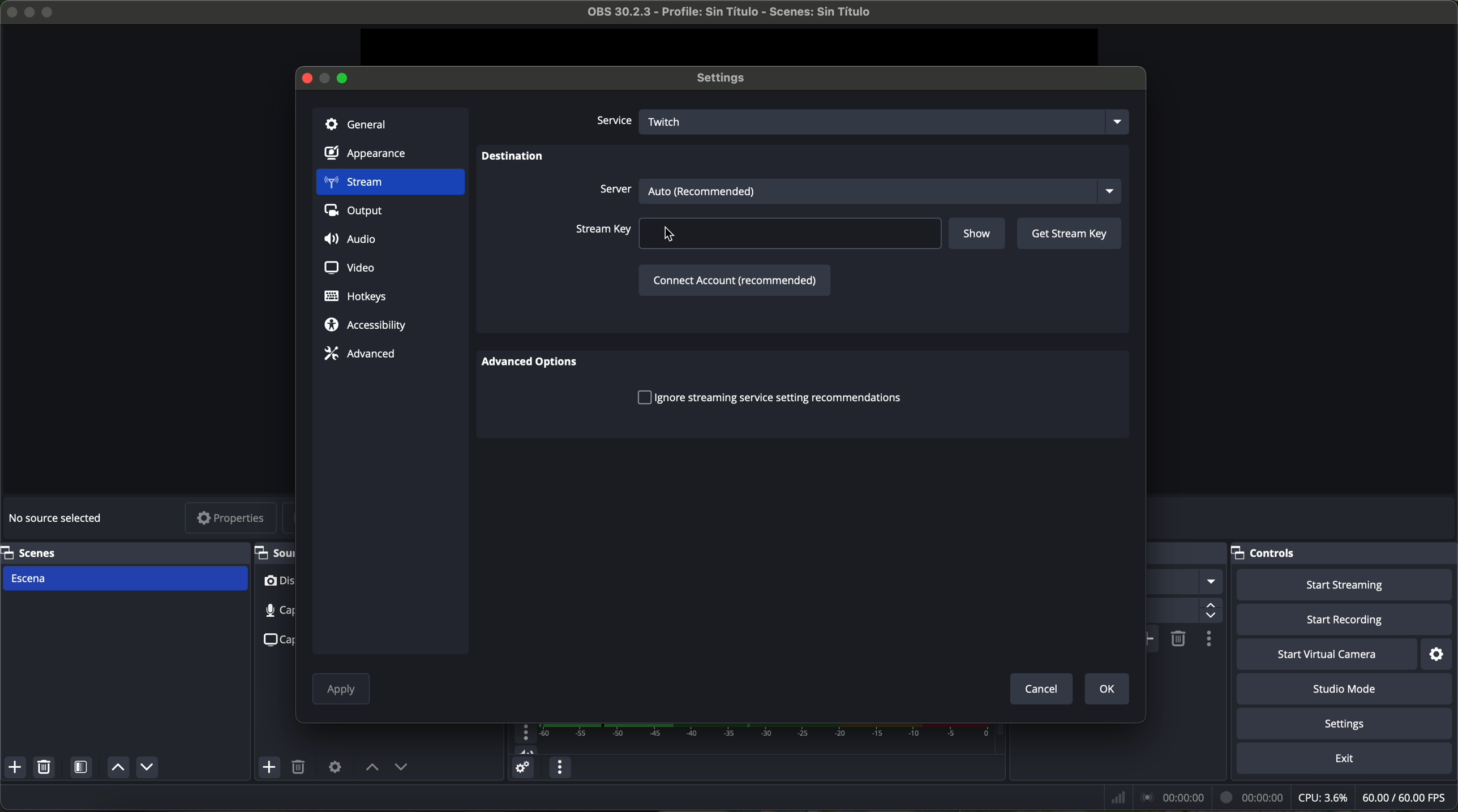 This screenshot has height=812, width=1458. What do you see at coordinates (1438, 654) in the screenshot?
I see `settings` at bounding box center [1438, 654].